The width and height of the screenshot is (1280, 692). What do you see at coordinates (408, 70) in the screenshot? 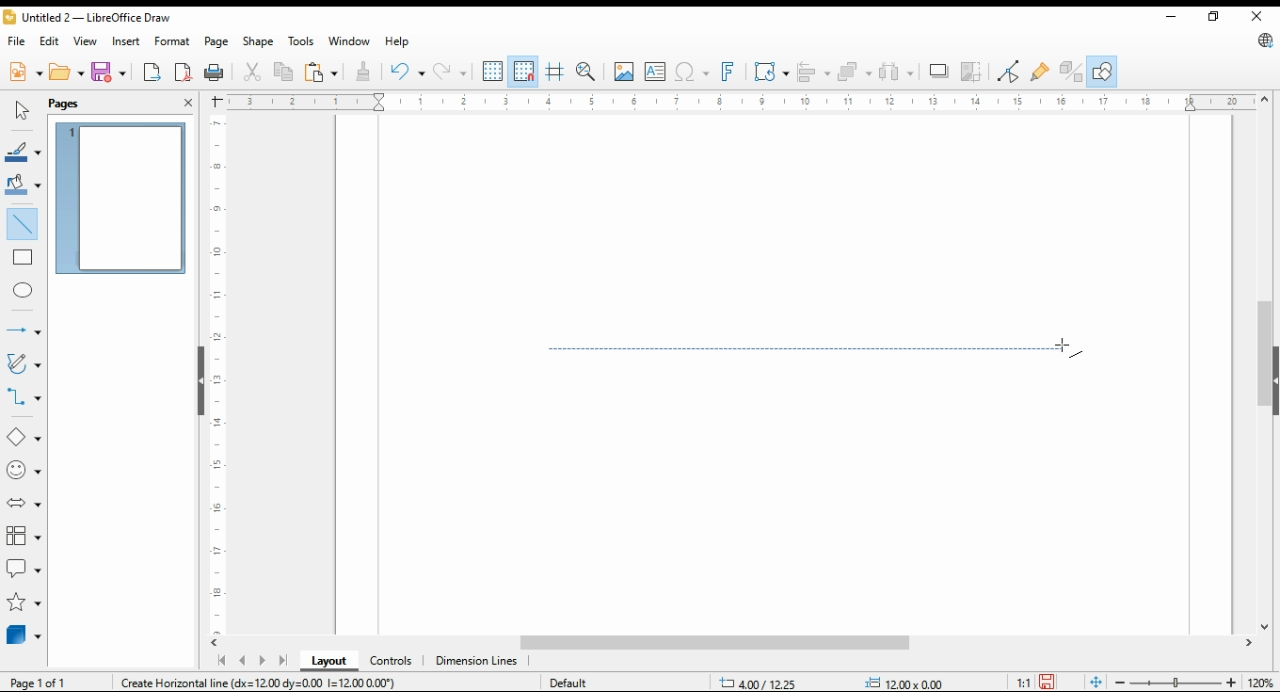
I see `undo` at bounding box center [408, 70].